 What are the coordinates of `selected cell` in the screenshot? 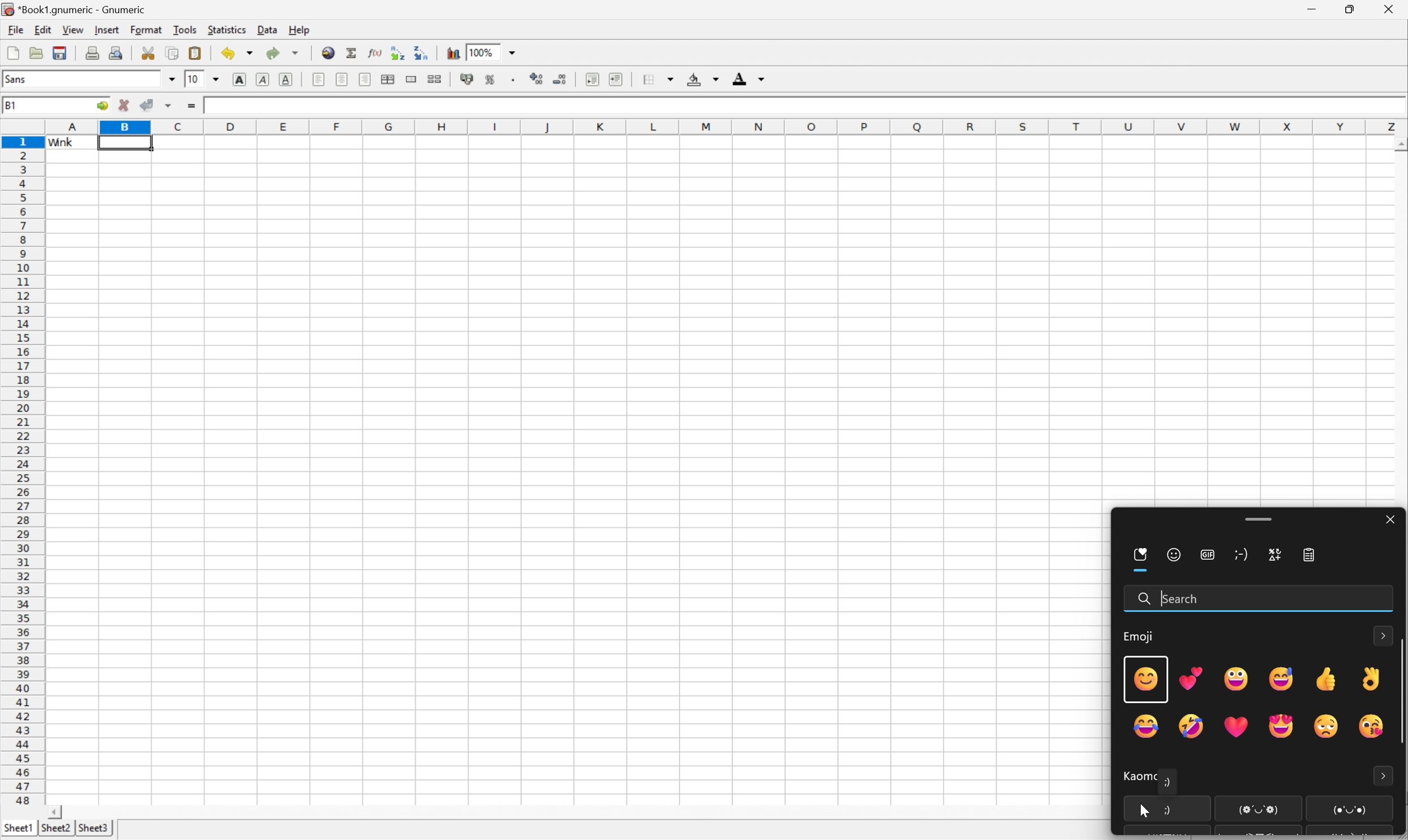 It's located at (124, 144).